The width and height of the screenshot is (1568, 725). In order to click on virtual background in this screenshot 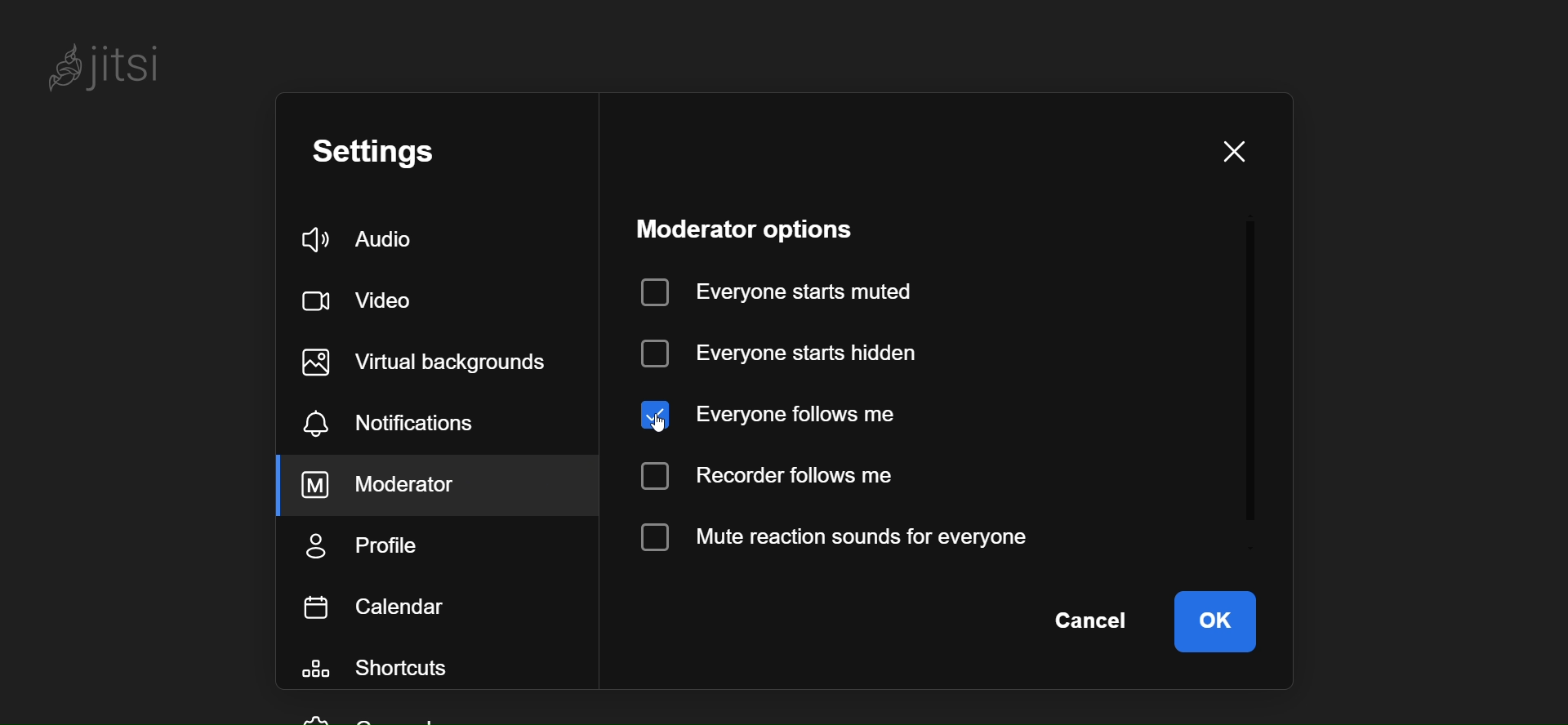, I will do `click(437, 362)`.